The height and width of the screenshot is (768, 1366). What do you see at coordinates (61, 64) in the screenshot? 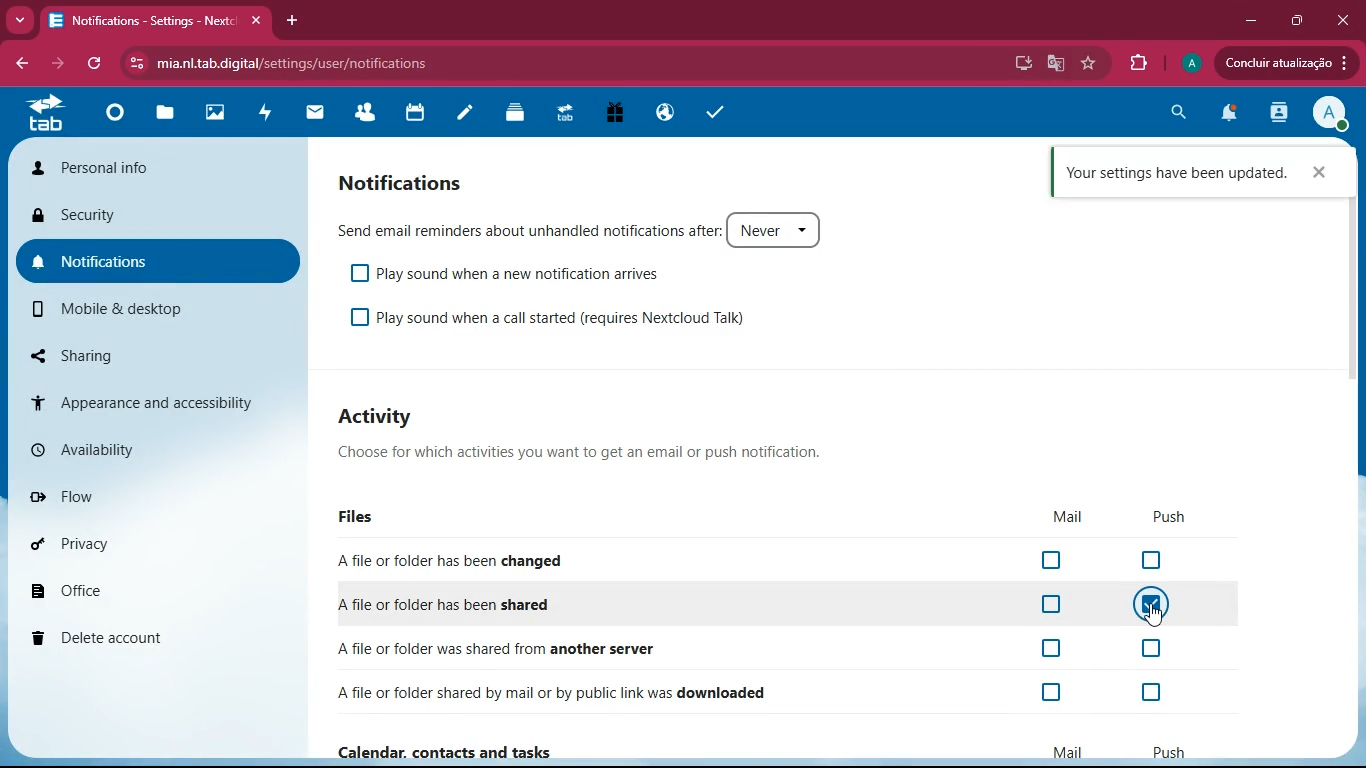
I see `forward` at bounding box center [61, 64].